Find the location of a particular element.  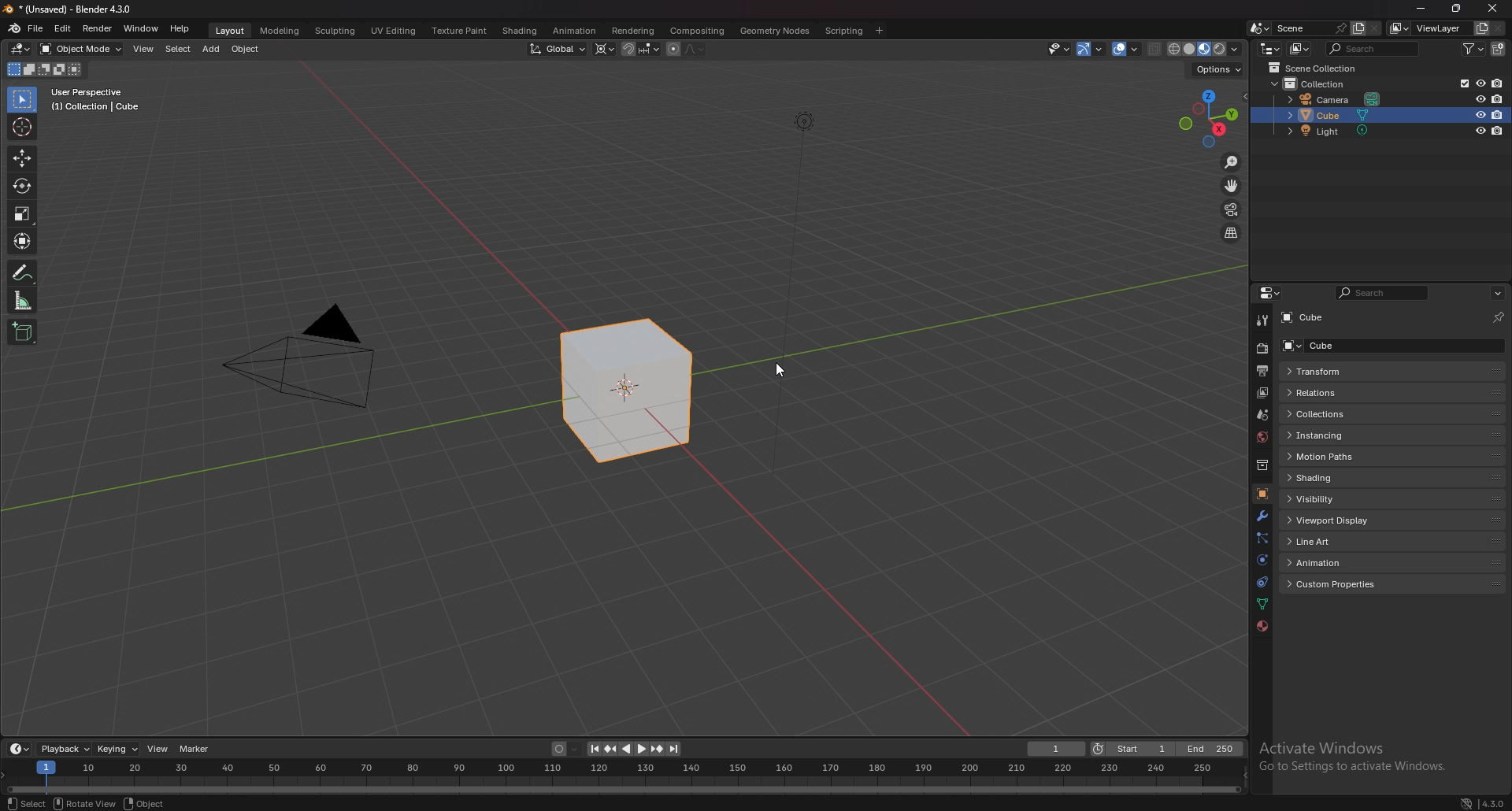

cube is located at coordinates (1358, 346).